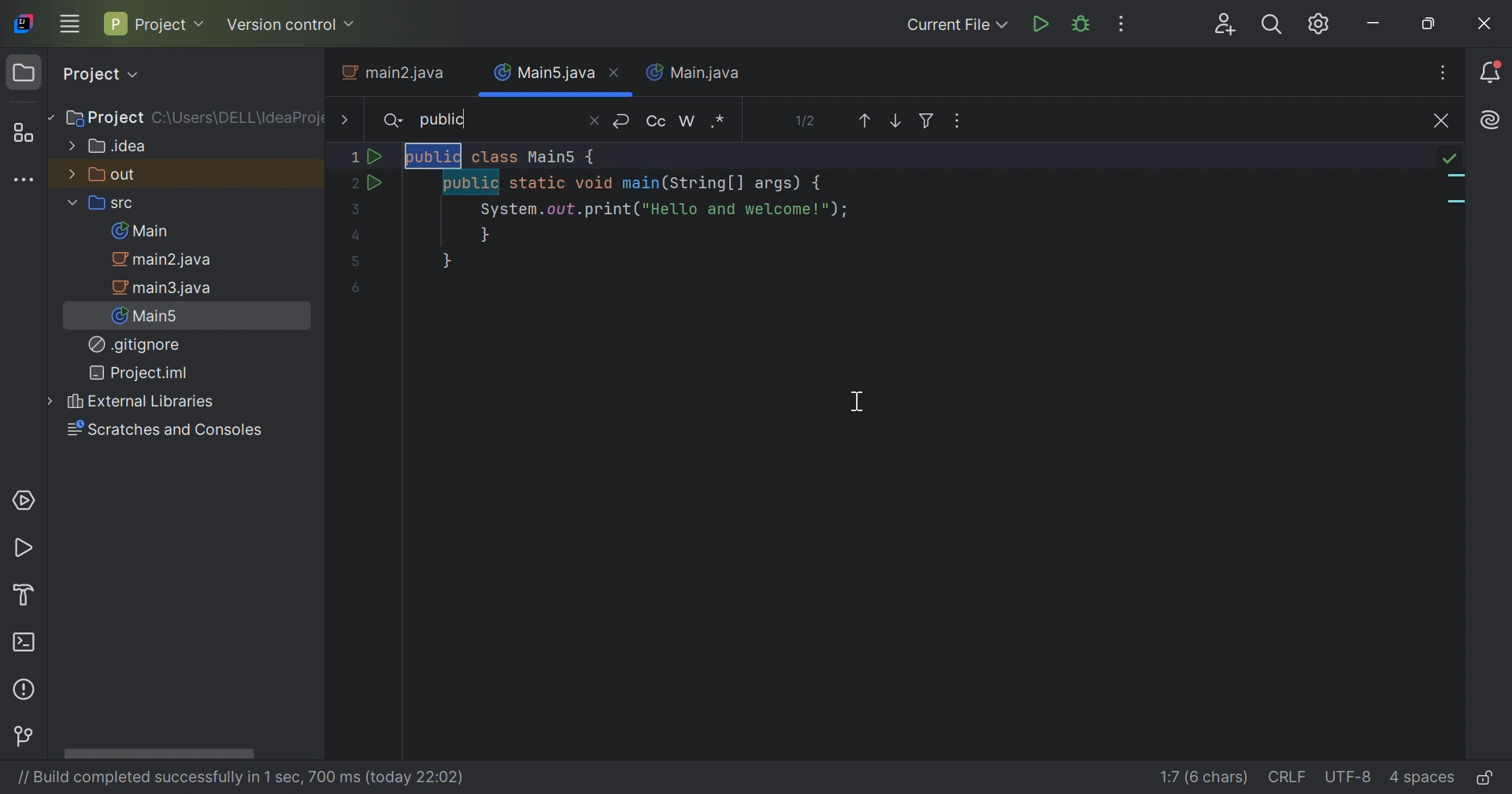 The width and height of the screenshot is (1512, 794). What do you see at coordinates (1486, 779) in the screenshot?
I see `Make file read-only` at bounding box center [1486, 779].